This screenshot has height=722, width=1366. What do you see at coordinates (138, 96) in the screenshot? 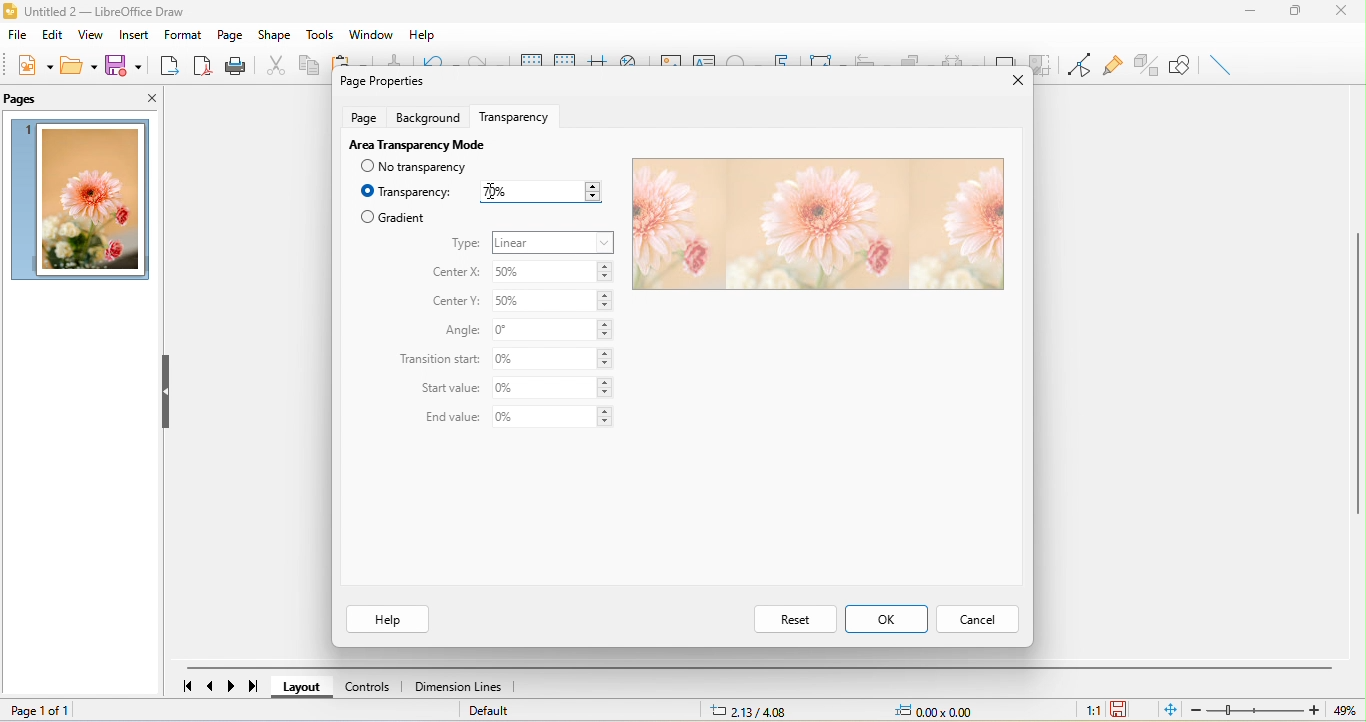
I see `close` at bounding box center [138, 96].